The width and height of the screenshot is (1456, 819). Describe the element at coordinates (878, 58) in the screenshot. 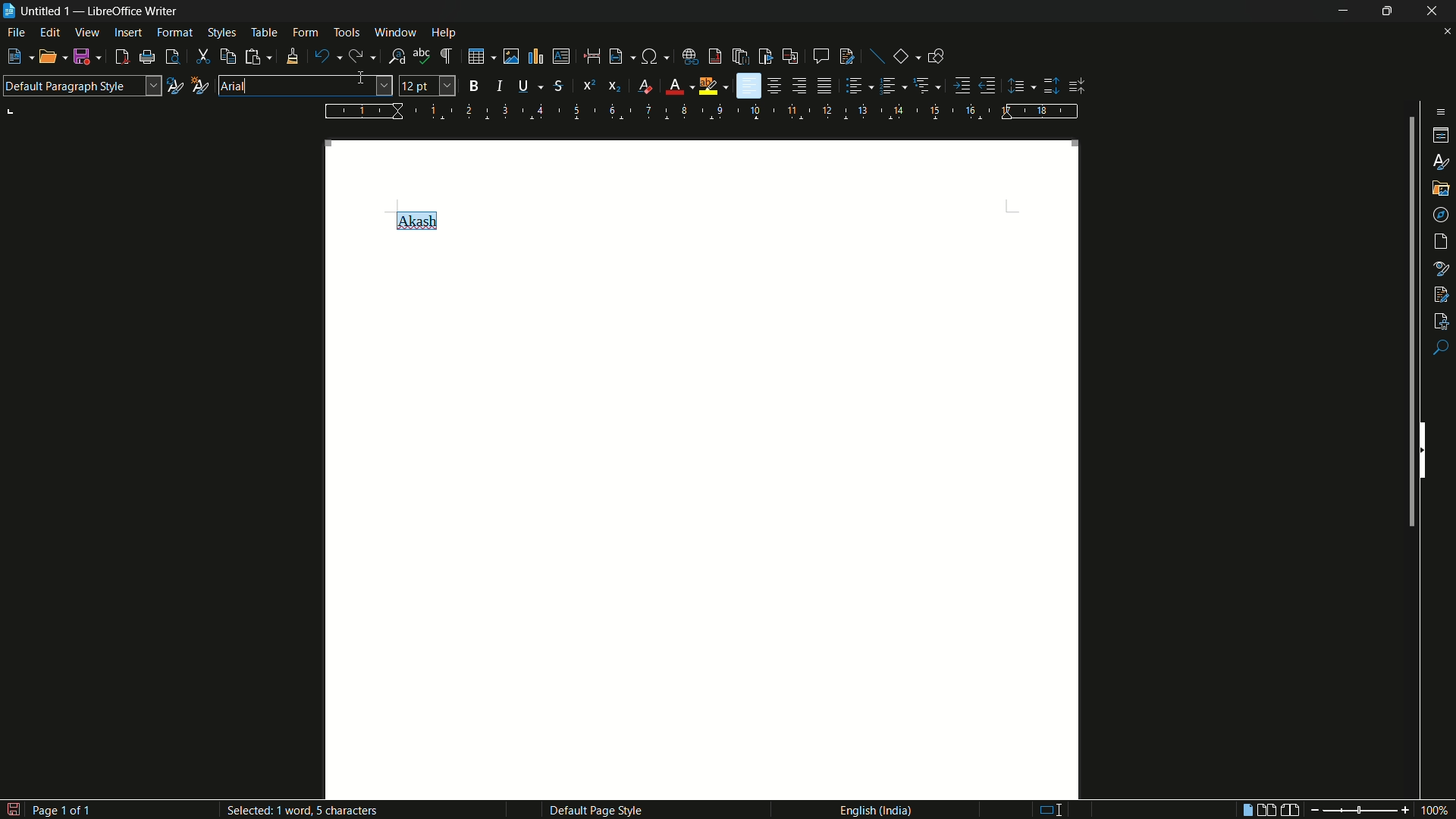

I see `insert line` at that location.